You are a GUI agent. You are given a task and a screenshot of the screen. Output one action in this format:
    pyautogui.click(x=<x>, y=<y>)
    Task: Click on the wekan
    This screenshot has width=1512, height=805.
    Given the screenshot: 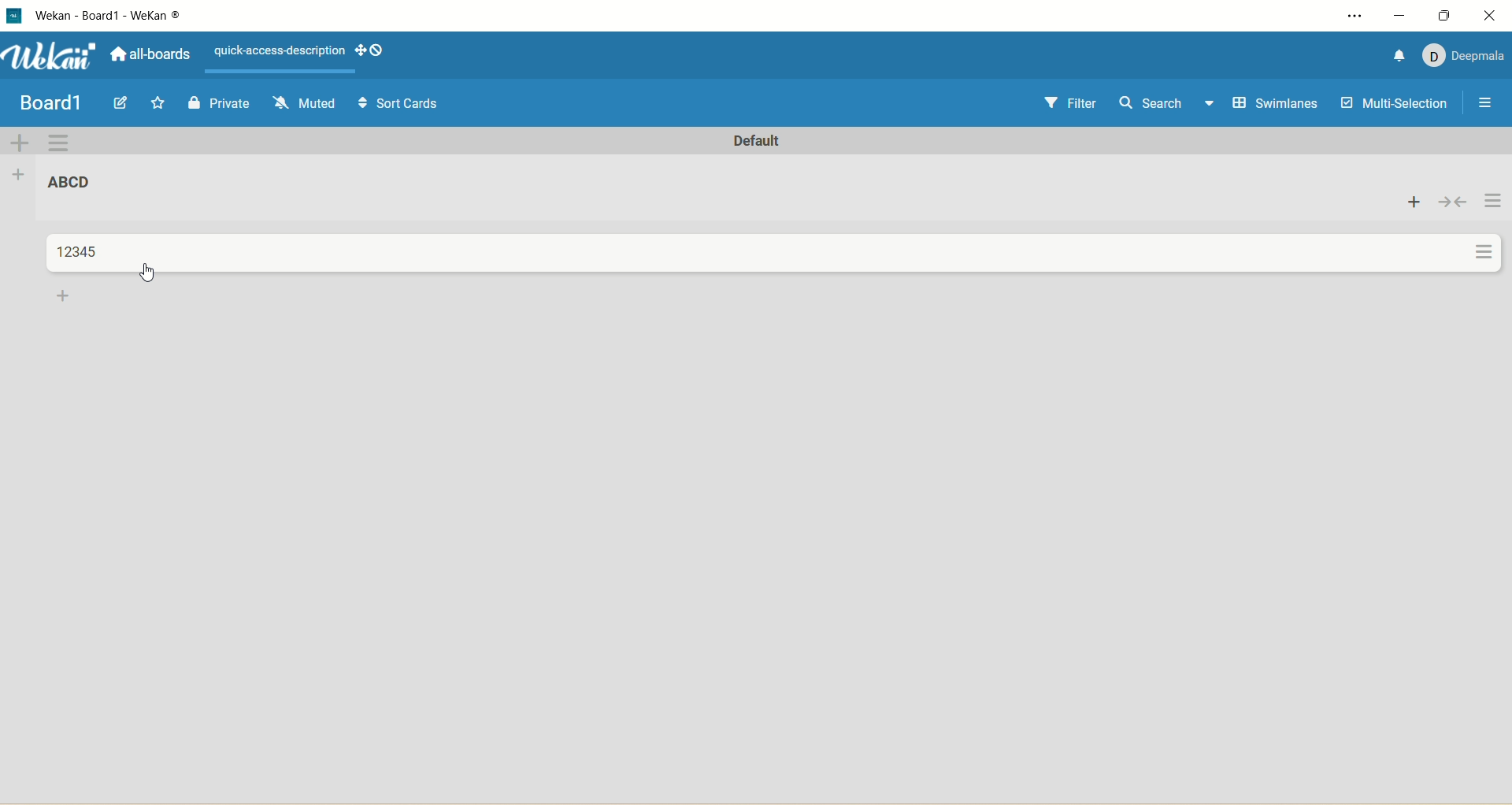 What is the action you would take?
    pyautogui.click(x=51, y=58)
    